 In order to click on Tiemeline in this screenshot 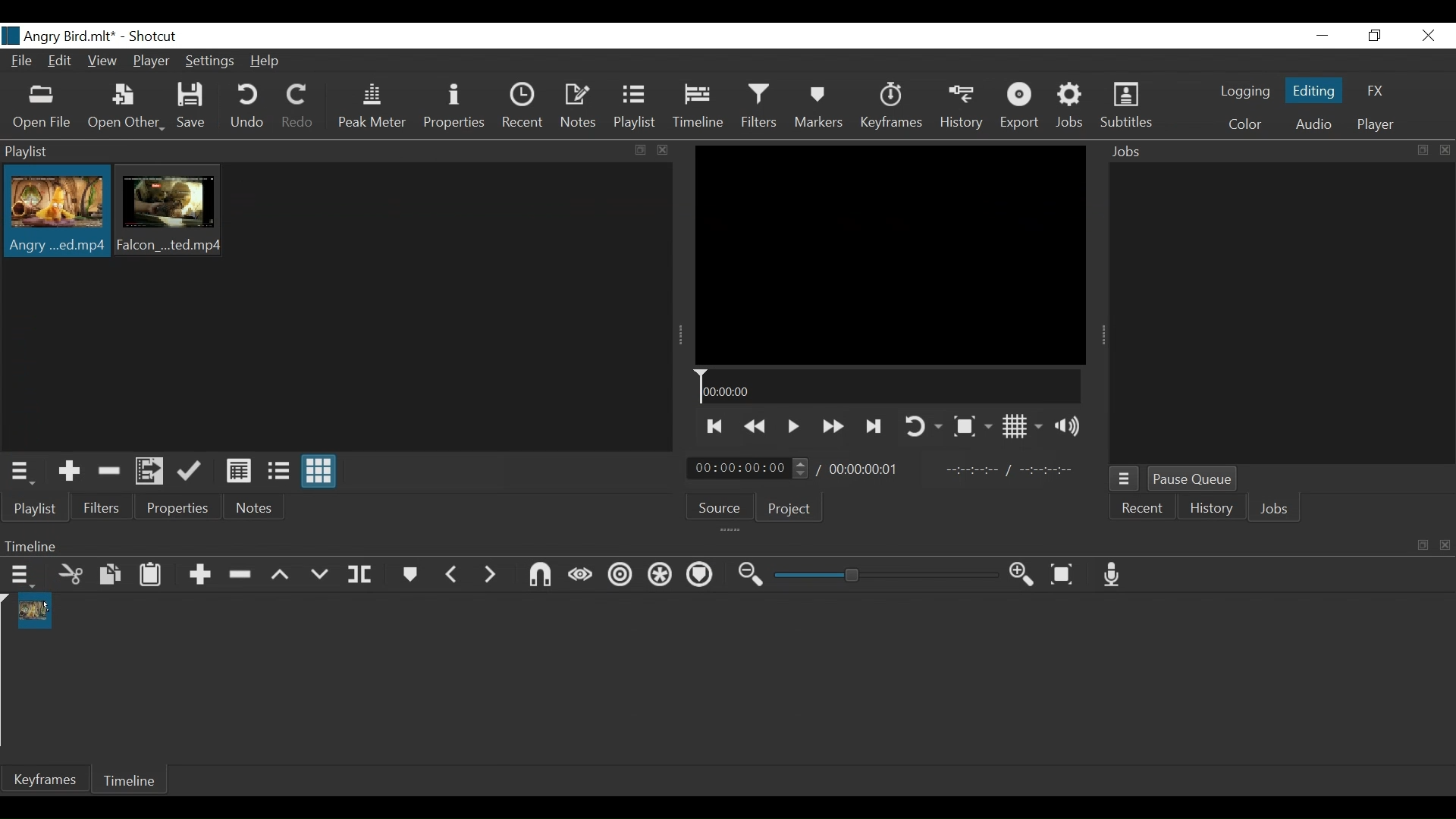, I will do `click(701, 108)`.